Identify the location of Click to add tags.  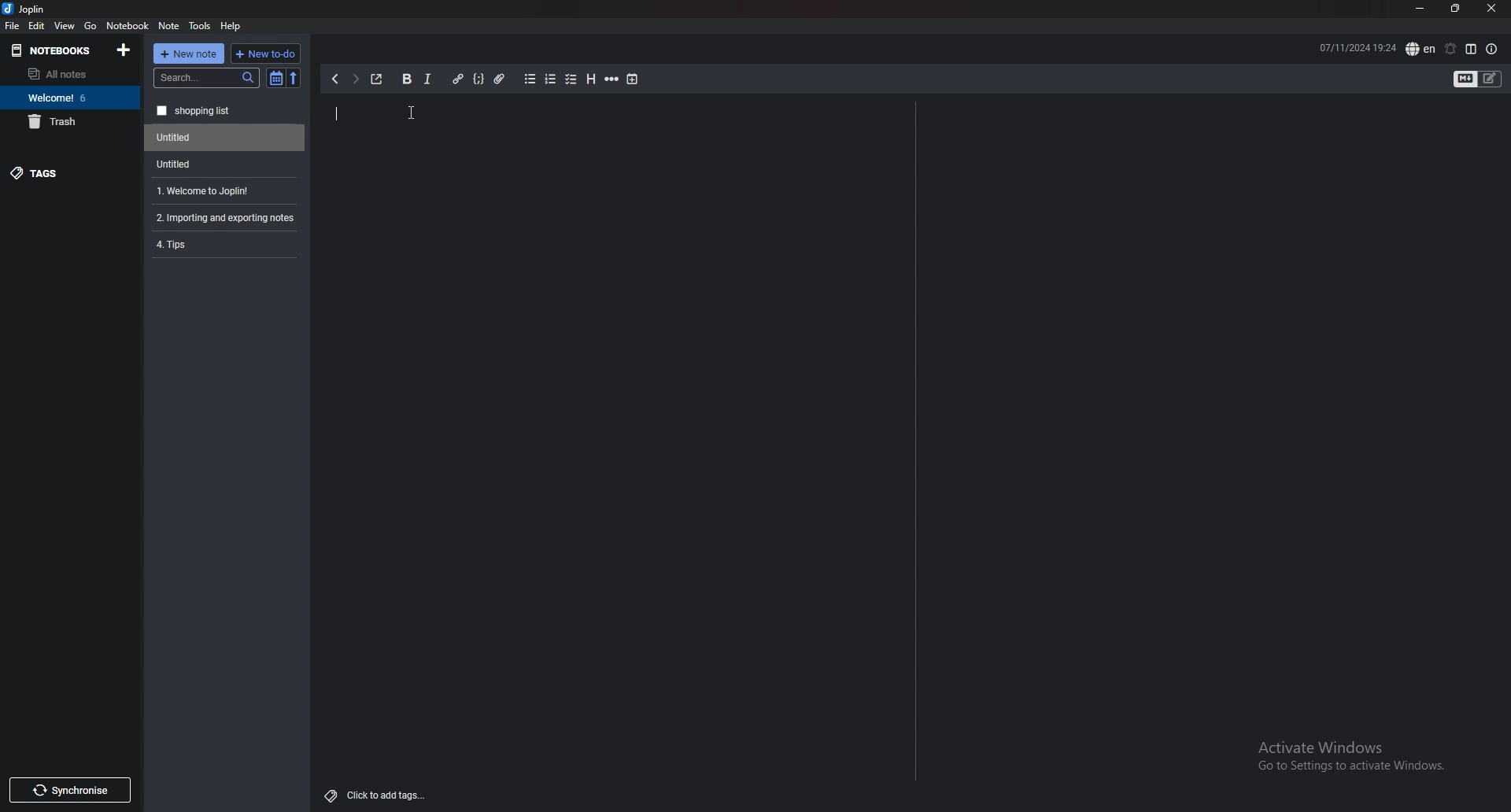
(379, 792).